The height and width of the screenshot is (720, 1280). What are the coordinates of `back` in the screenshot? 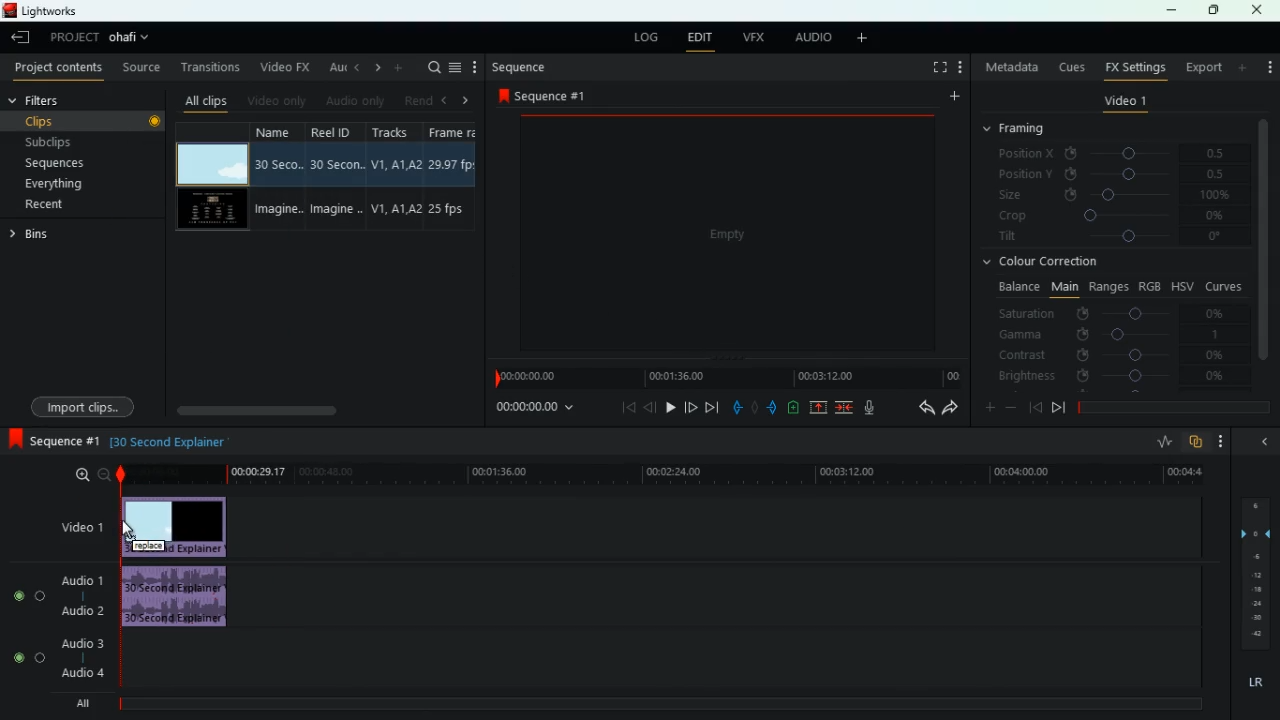 It's located at (1262, 441).